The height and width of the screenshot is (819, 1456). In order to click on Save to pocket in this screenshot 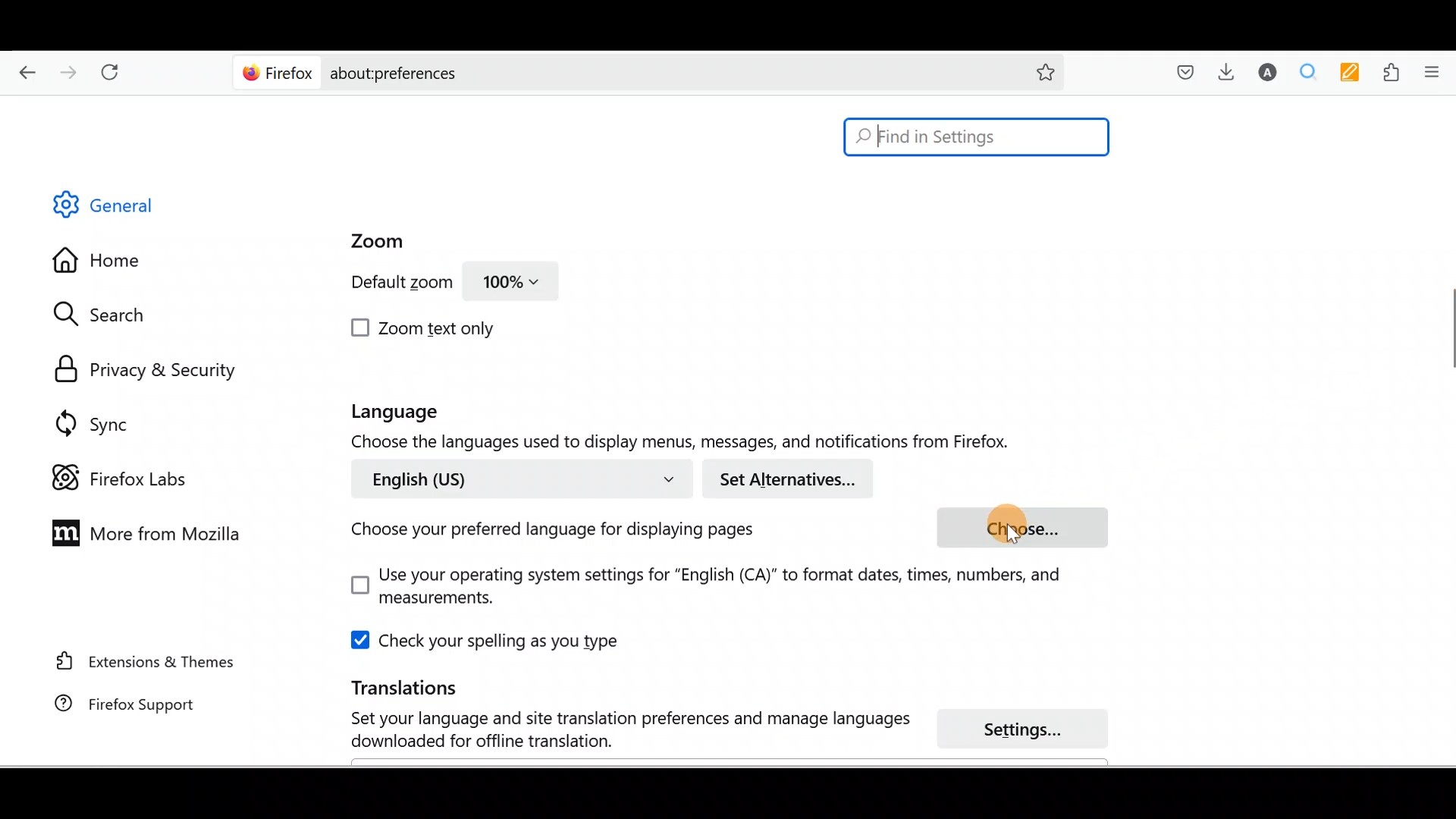, I will do `click(1180, 73)`.